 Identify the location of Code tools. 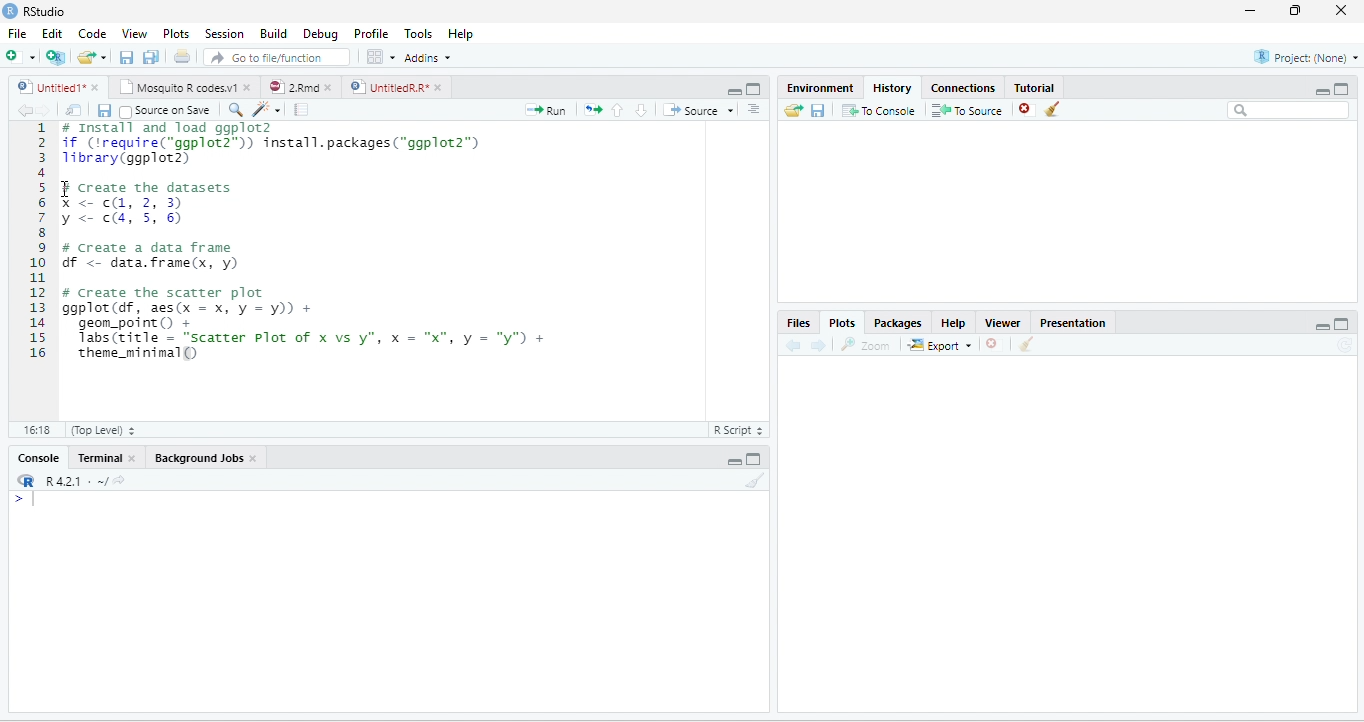
(268, 110).